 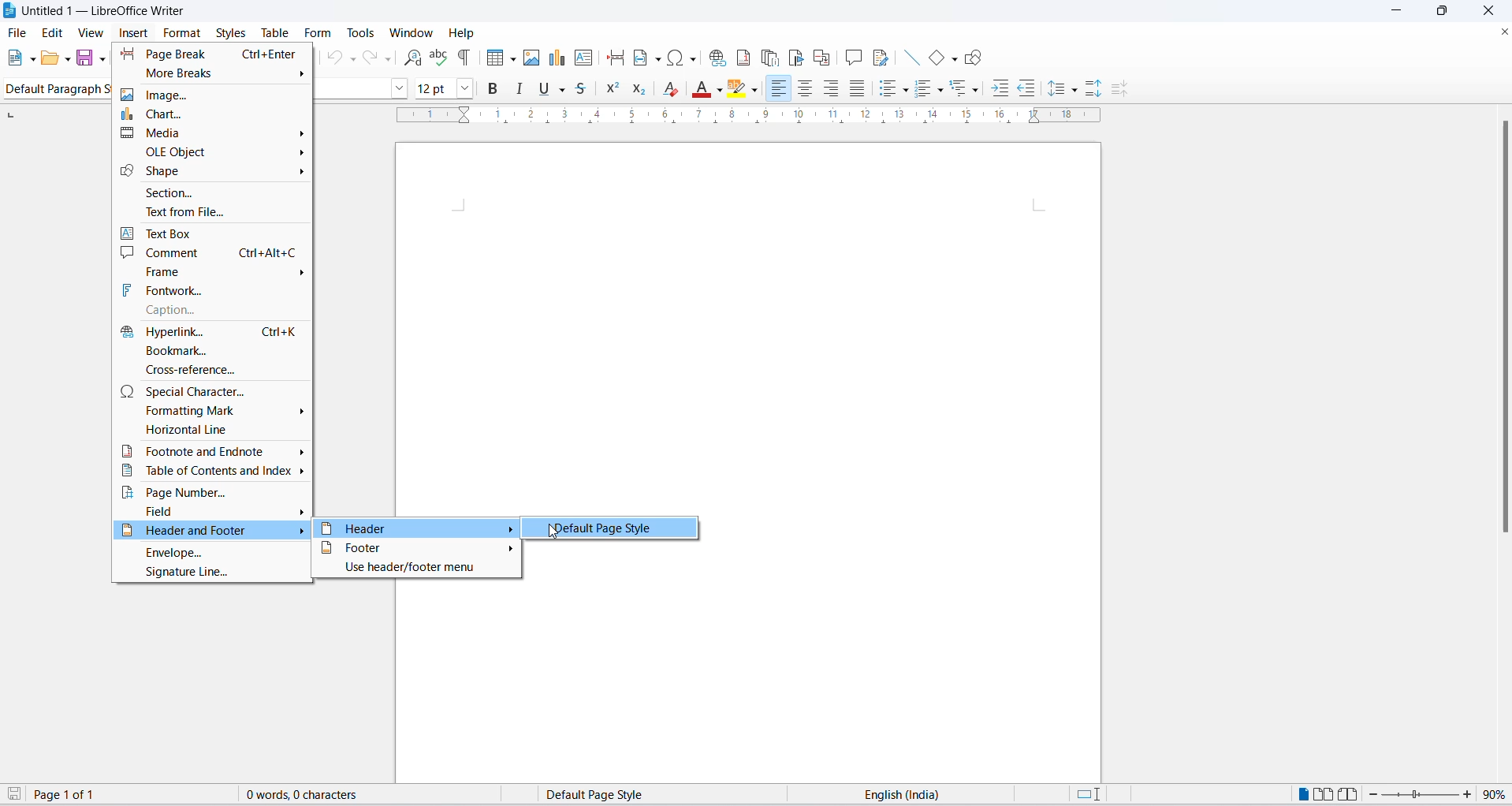 I want to click on default page style, so click(x=616, y=529).